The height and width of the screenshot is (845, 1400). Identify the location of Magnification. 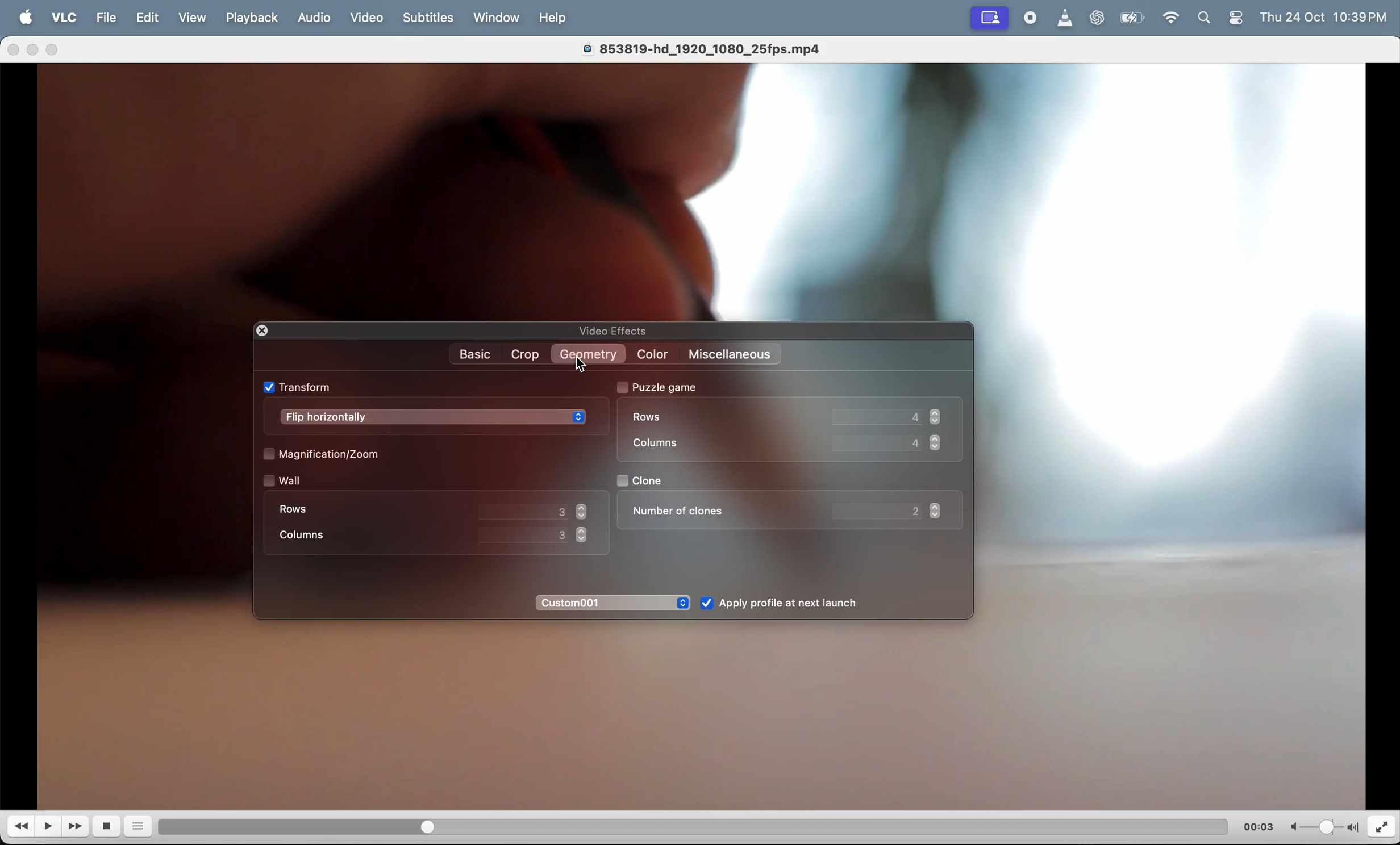
(331, 454).